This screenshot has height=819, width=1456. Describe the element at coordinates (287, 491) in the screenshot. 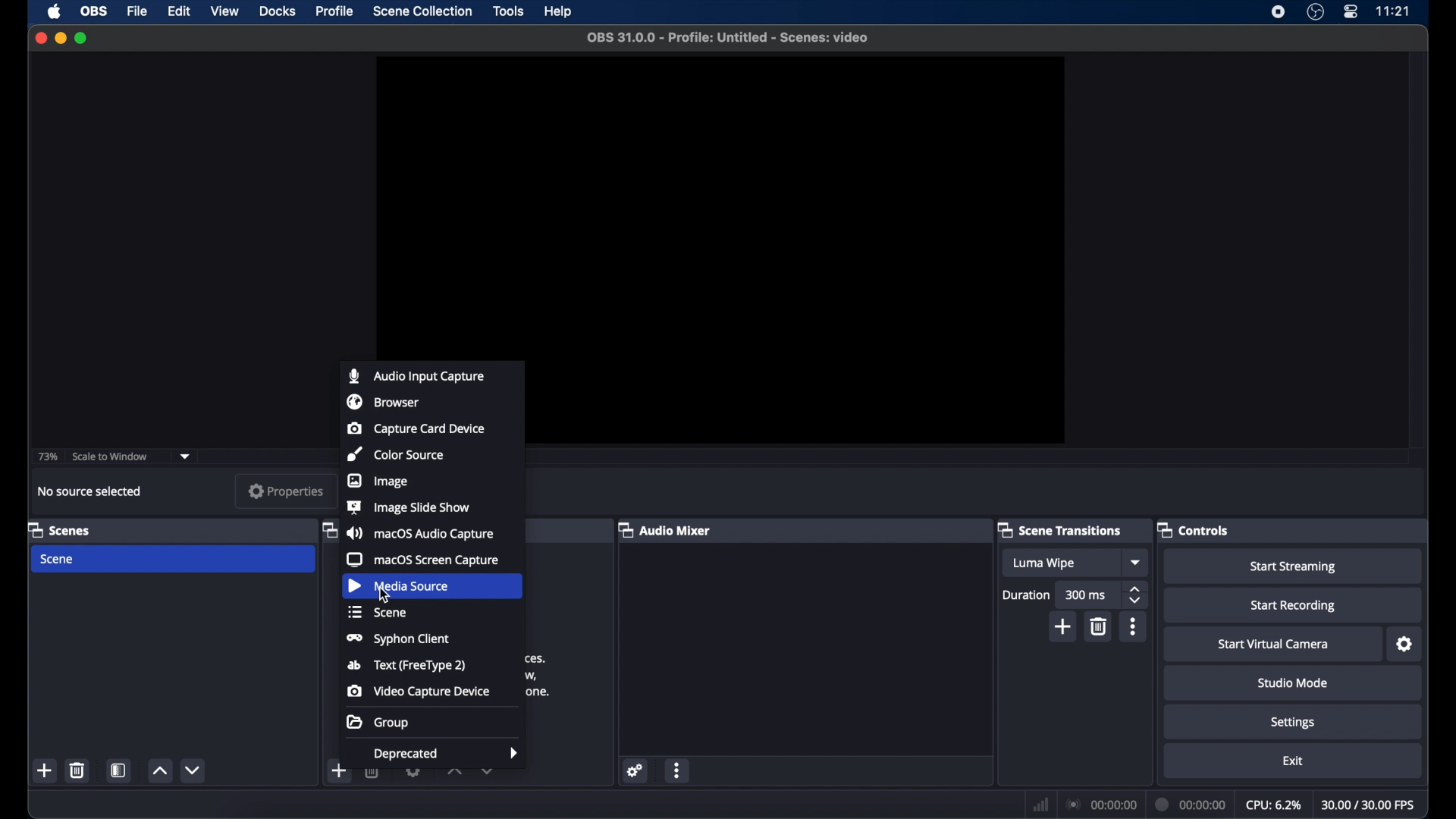

I see `properties` at that location.